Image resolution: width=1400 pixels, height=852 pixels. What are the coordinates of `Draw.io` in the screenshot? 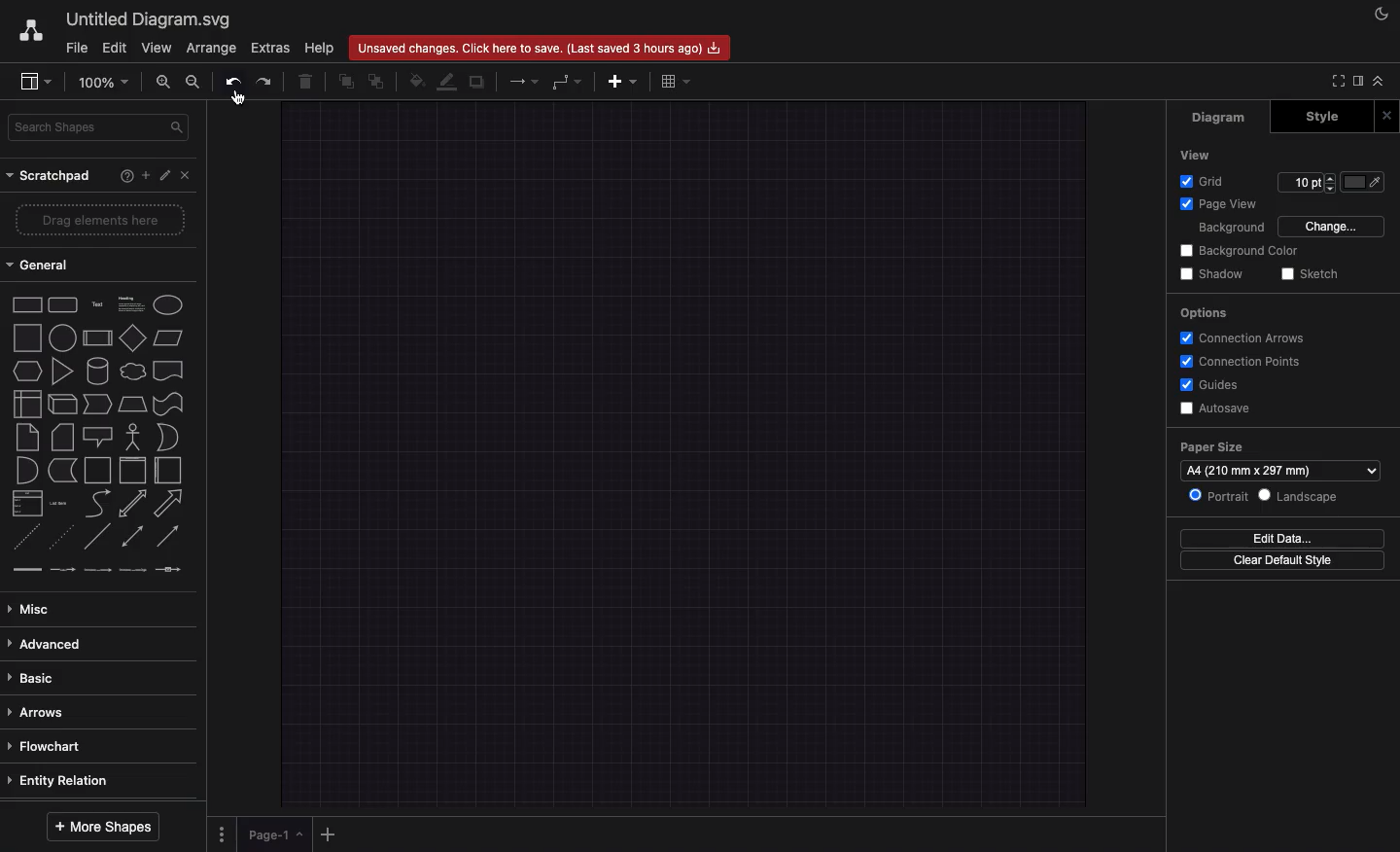 It's located at (32, 33).